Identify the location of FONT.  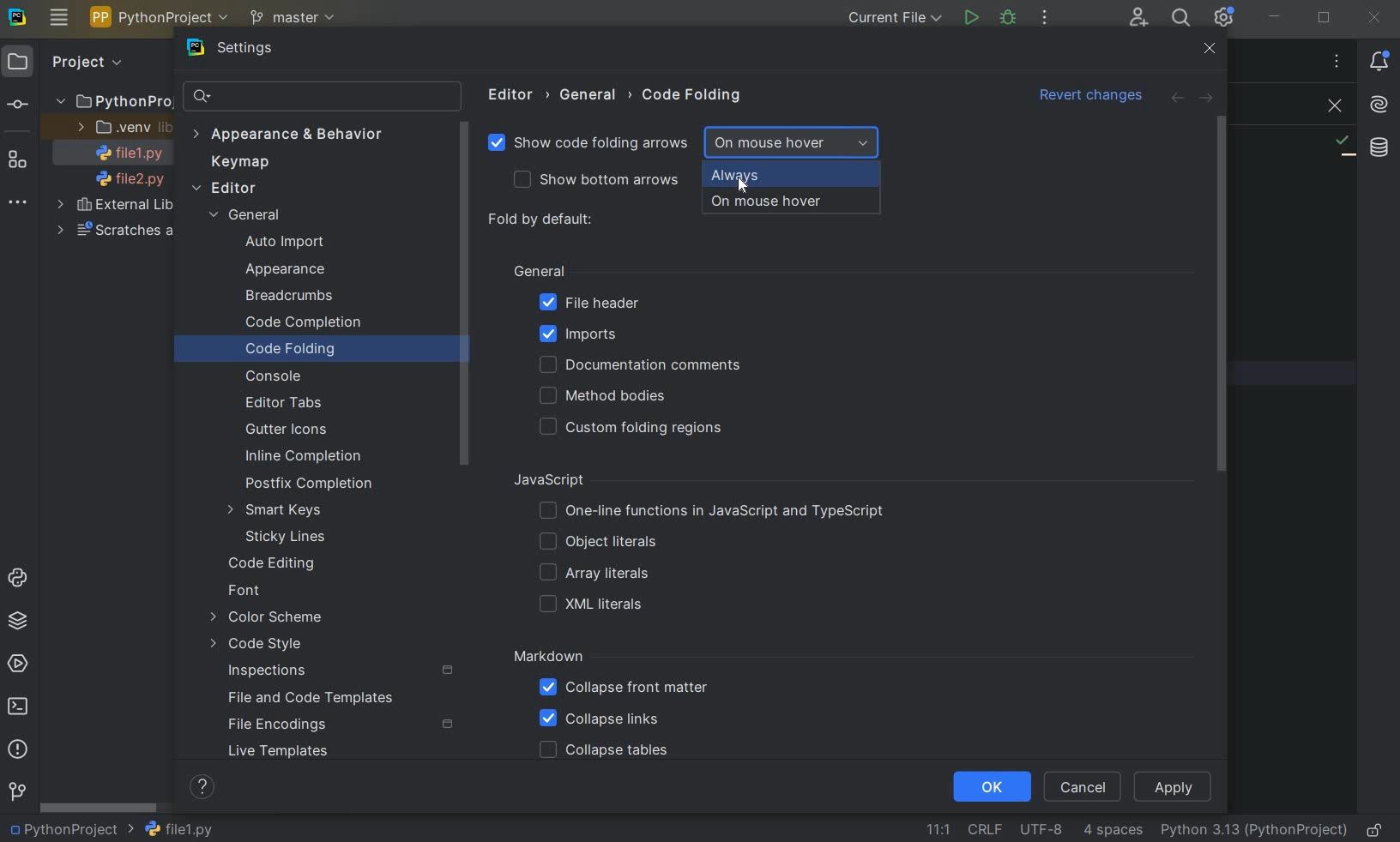
(251, 592).